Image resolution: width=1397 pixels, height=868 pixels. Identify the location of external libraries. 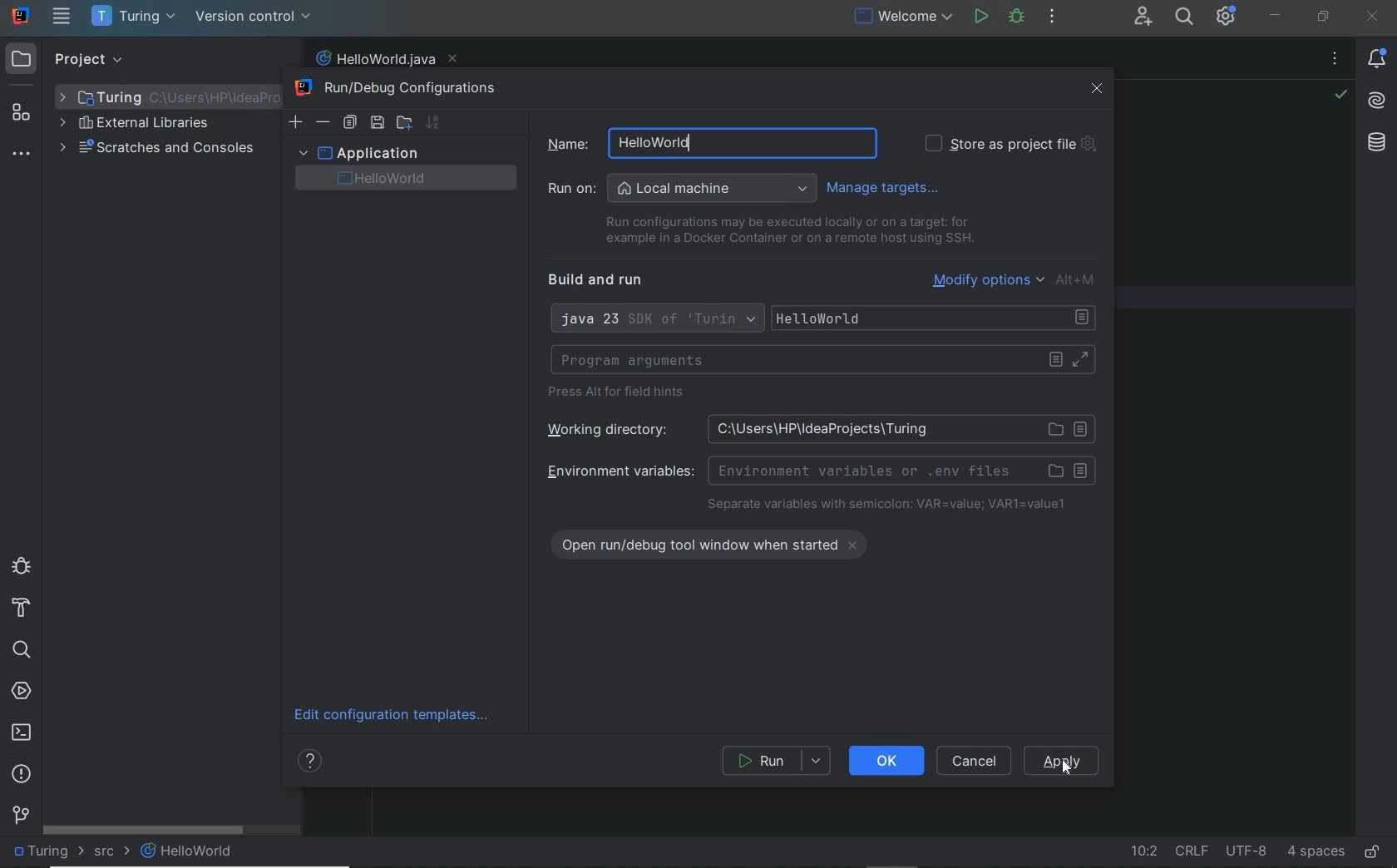
(134, 125).